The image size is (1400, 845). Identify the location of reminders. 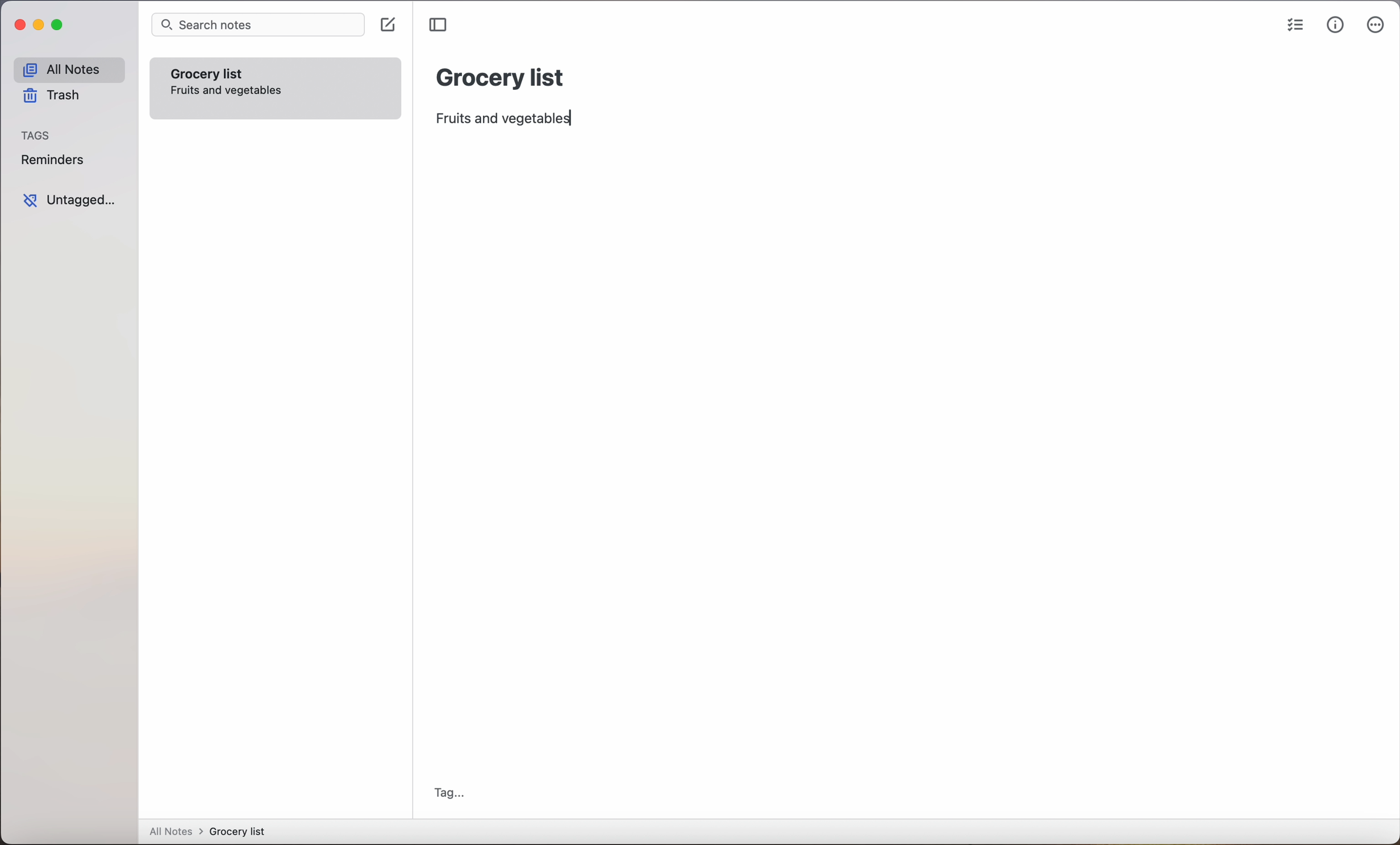
(52, 162).